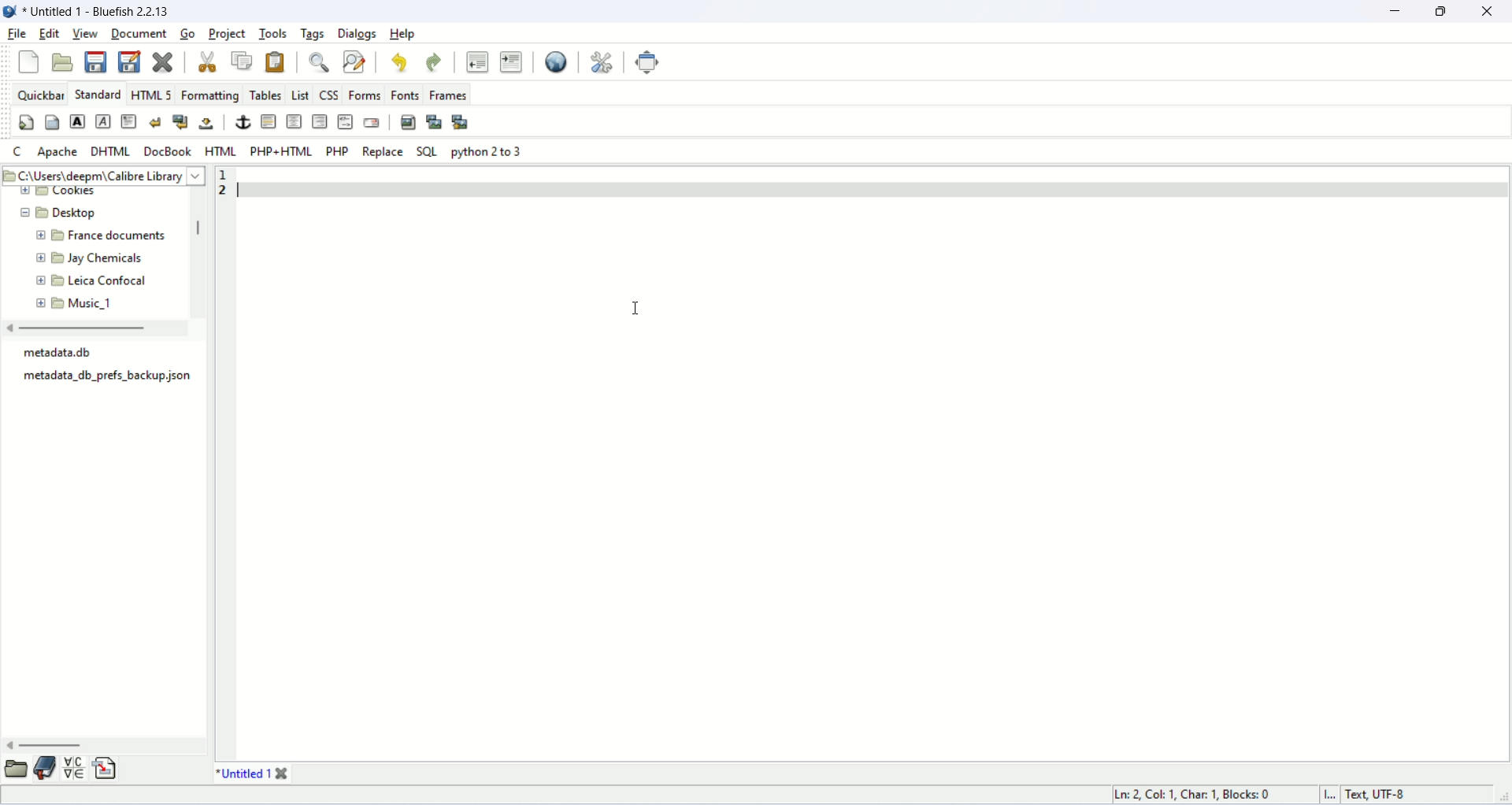 This screenshot has height=805, width=1512. I want to click on DHTML, so click(109, 150).